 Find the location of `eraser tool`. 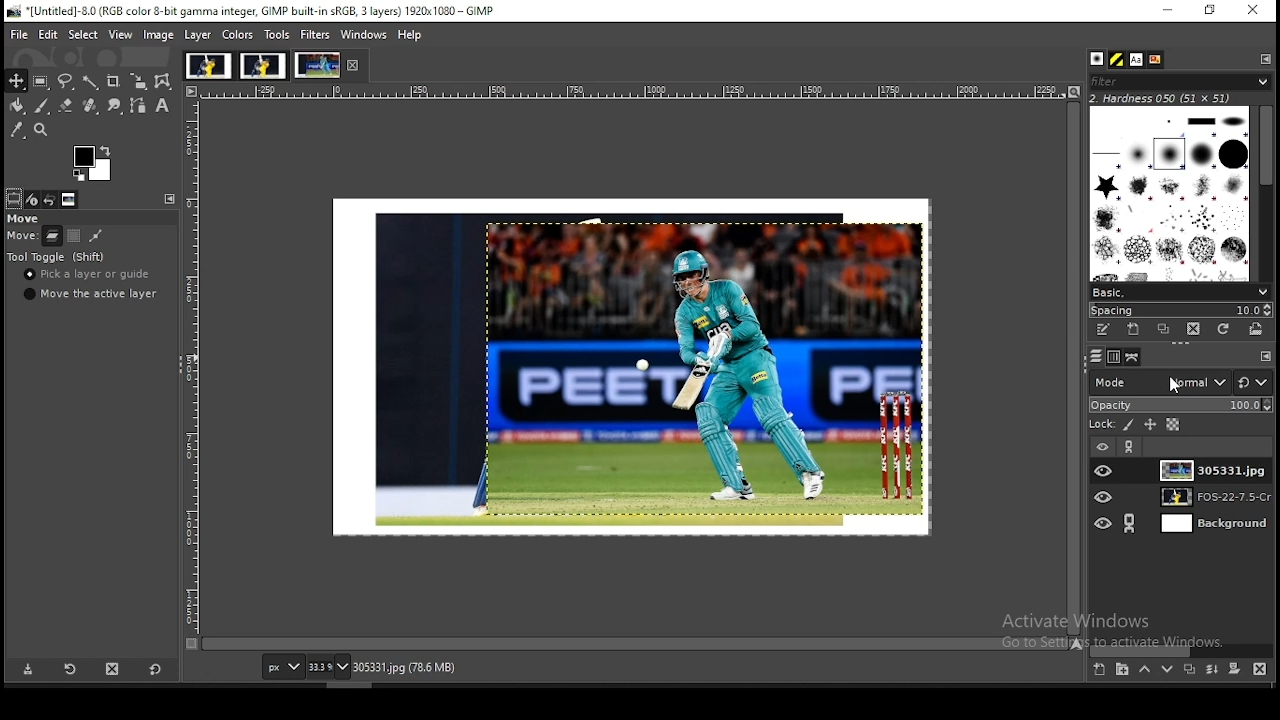

eraser tool is located at coordinates (66, 104).